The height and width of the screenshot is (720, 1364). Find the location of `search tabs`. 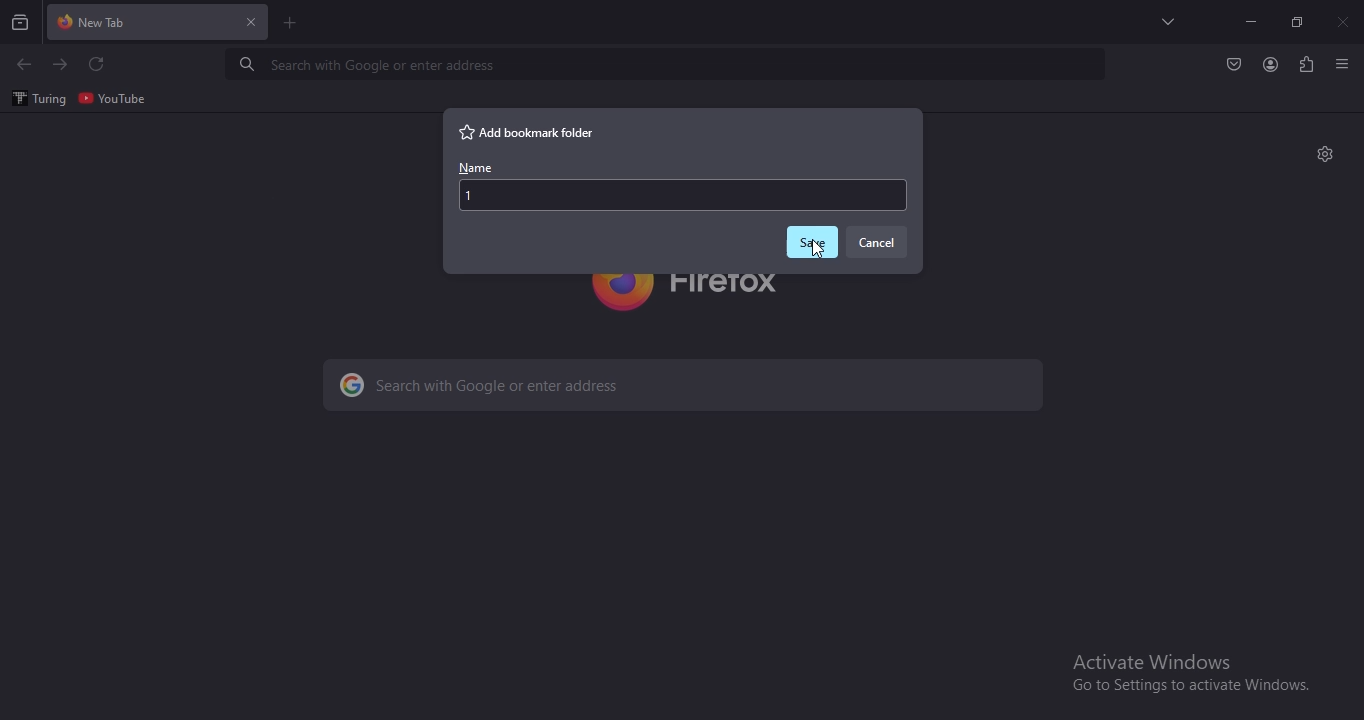

search tabs is located at coordinates (1170, 21).